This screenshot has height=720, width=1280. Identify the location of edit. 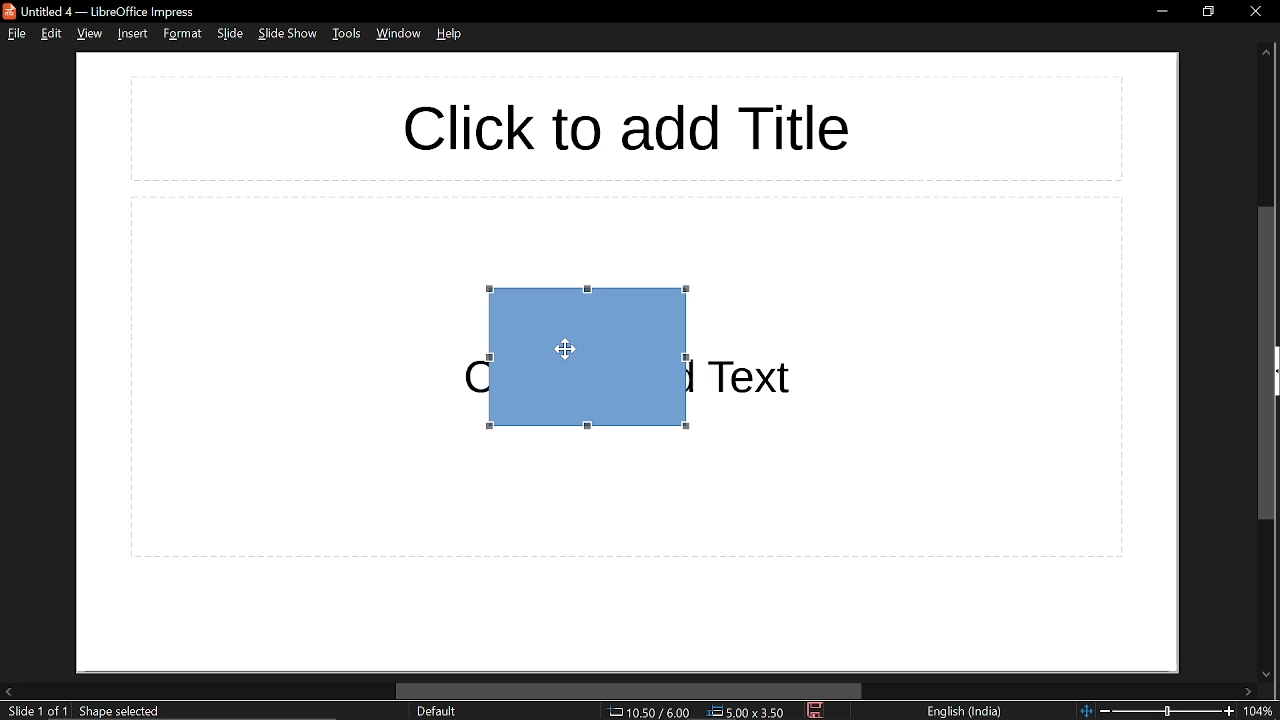
(54, 35).